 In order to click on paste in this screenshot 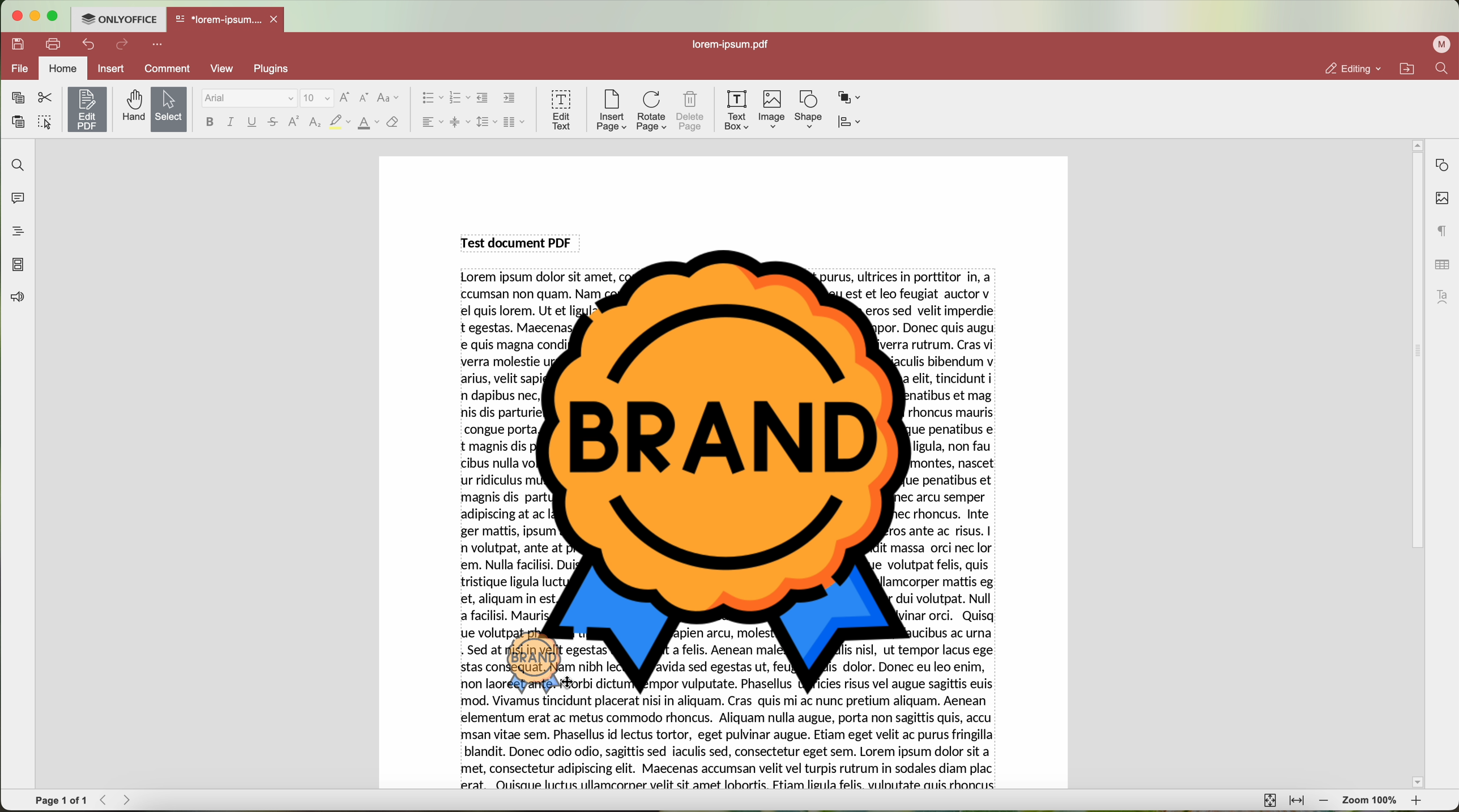, I will do `click(18, 122)`.